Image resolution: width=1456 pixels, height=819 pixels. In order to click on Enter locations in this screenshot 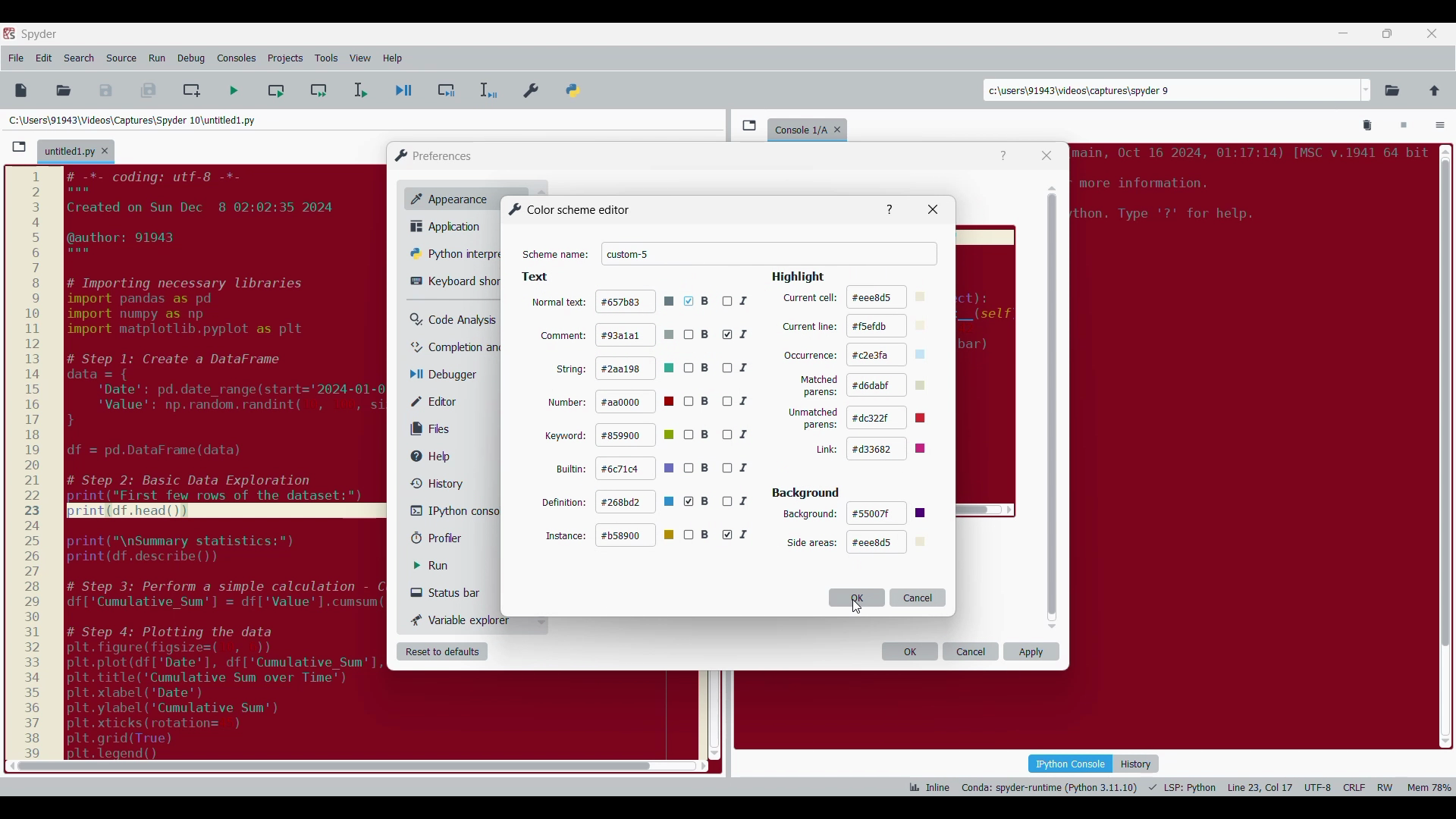, I will do `click(1171, 90)`.